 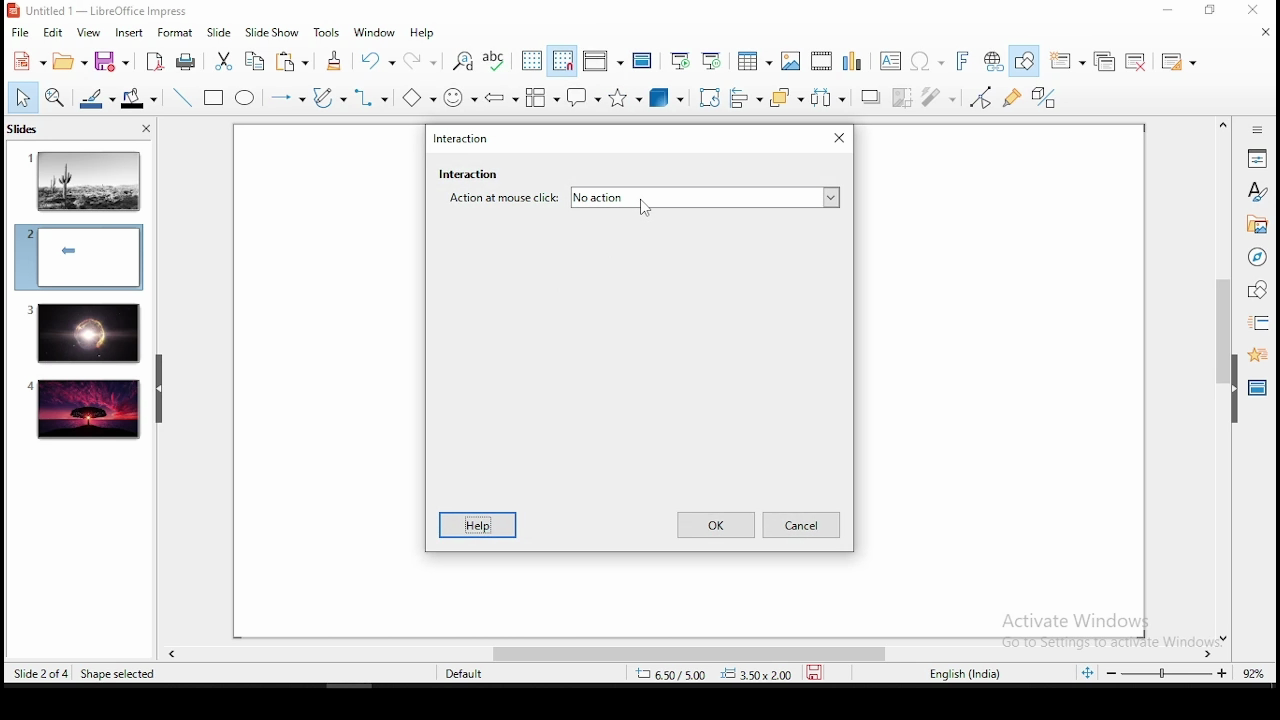 What do you see at coordinates (1167, 11) in the screenshot?
I see `minimize` at bounding box center [1167, 11].